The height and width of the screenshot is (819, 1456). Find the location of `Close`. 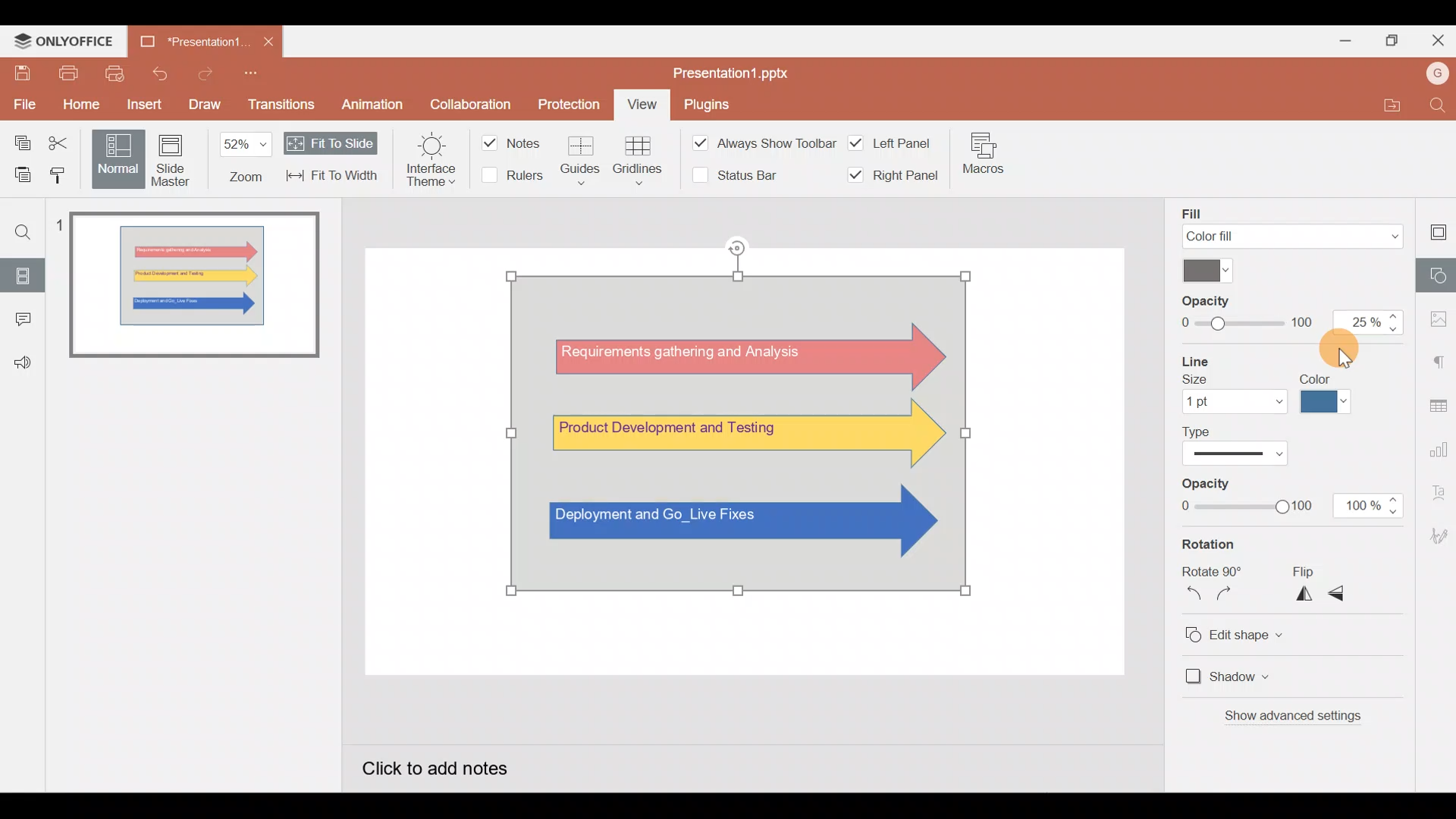

Close is located at coordinates (1436, 42).